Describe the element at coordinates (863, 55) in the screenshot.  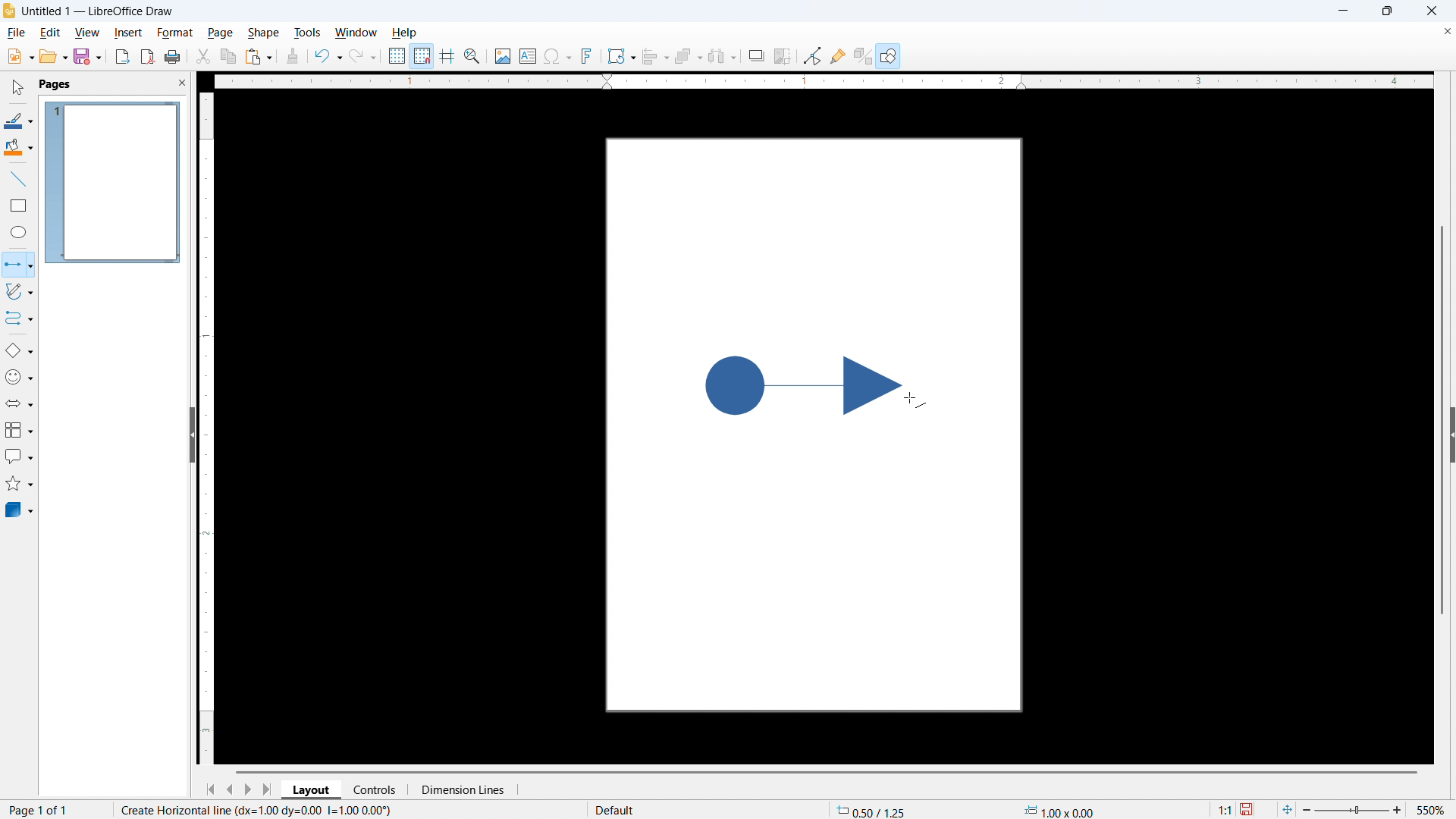
I see `Toggle extrusion ` at that location.